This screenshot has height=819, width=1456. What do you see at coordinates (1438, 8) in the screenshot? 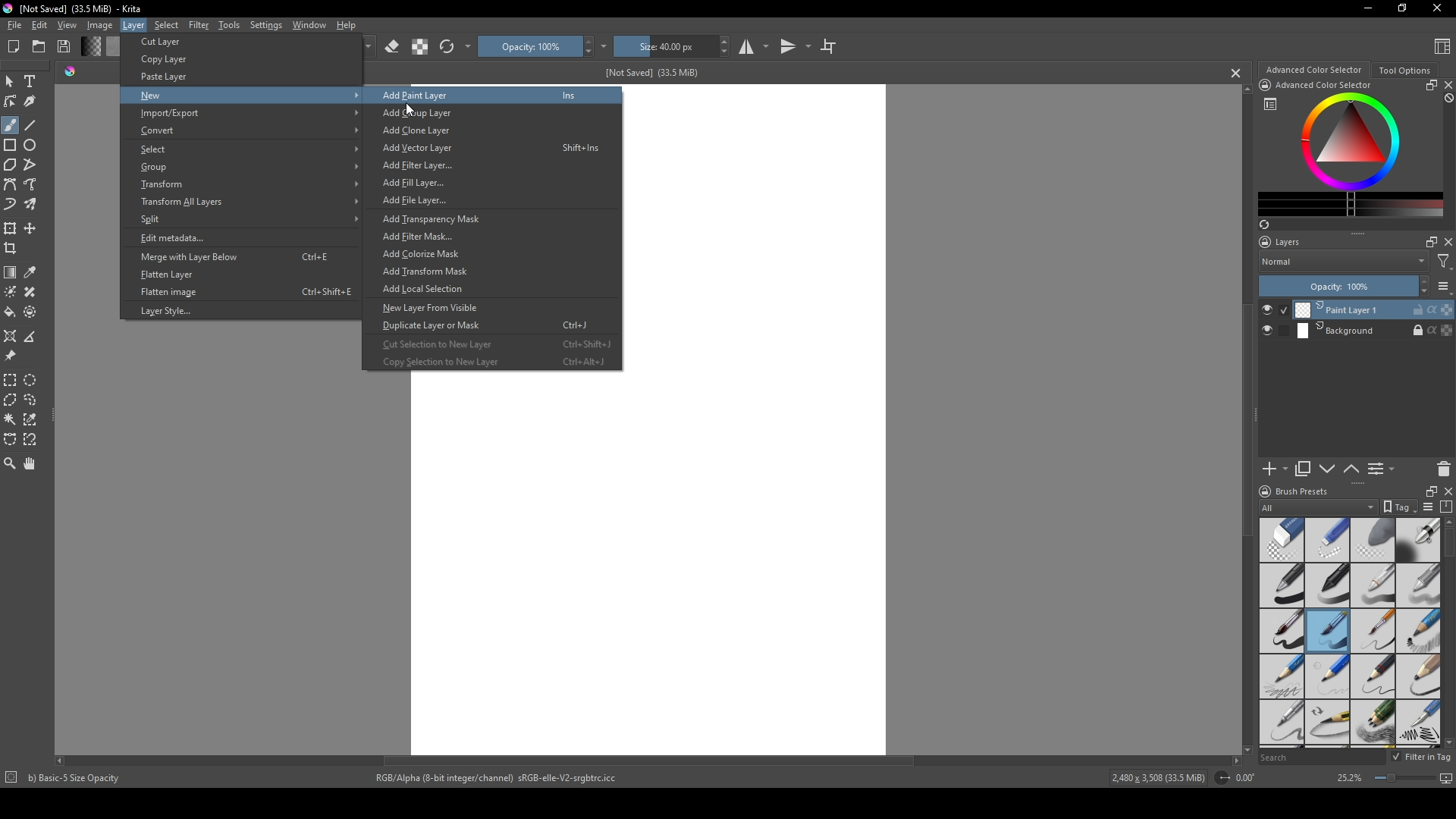
I see `Close` at bounding box center [1438, 8].